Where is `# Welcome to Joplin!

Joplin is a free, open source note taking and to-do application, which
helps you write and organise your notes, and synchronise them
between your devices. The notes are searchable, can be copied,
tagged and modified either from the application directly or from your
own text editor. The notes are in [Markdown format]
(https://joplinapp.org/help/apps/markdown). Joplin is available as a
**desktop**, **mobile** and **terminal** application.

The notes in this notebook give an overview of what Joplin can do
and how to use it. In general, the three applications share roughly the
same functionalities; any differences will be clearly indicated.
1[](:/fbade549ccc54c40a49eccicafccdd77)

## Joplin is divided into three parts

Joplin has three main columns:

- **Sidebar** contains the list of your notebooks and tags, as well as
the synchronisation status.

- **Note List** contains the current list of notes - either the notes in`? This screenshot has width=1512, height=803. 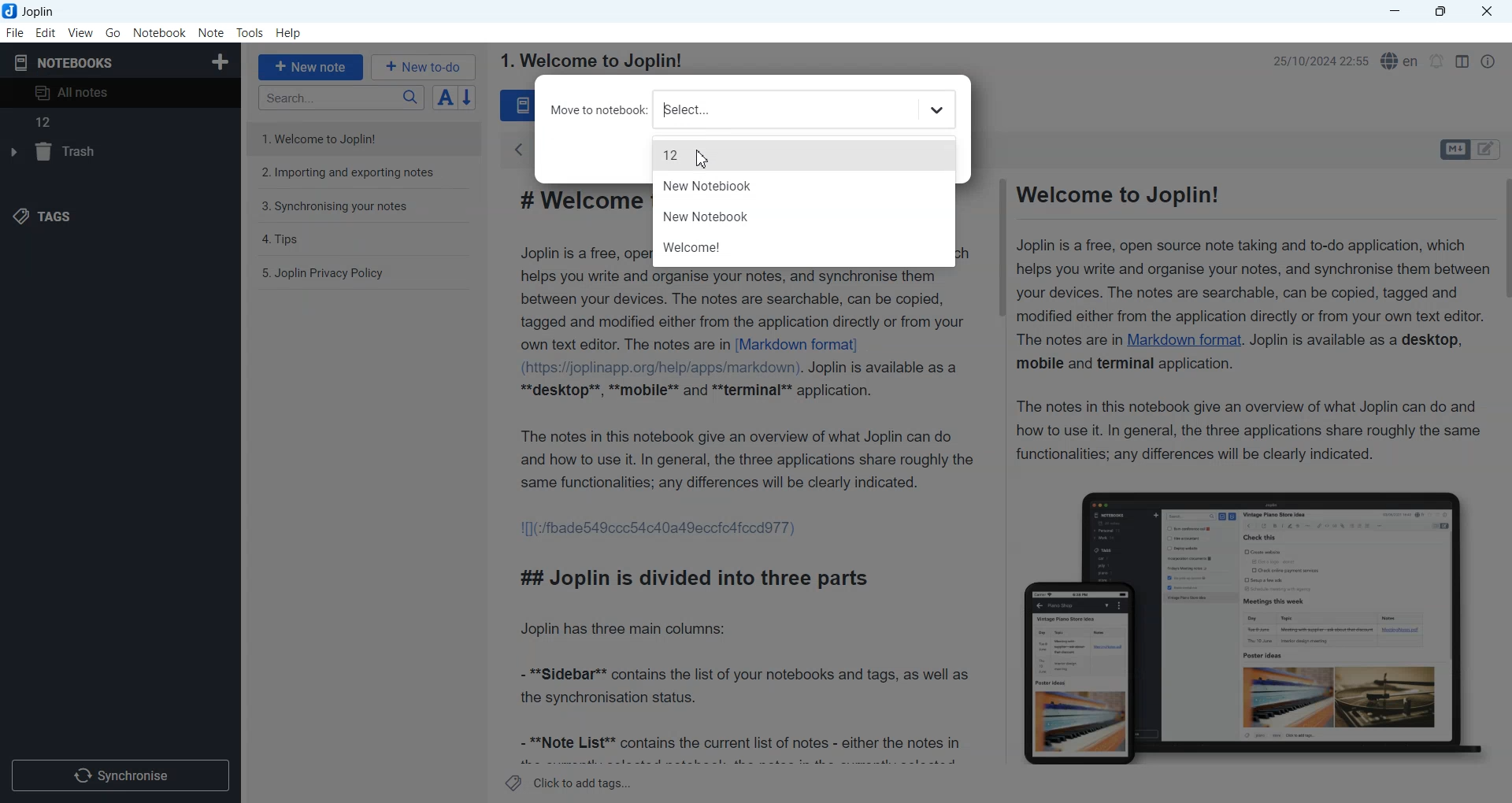 # Welcome to Joplin!

Joplin is a free, open source note taking and to-do application, which
helps you write and organise your notes, and synchronise them
between your devices. The notes are searchable, can be copied,
tagged and modified either from the application directly or from your
own text editor. The notes are in [Markdown format]
(https://joplinapp.org/help/apps/markdown). Joplin is available as a
**desktop**, **mobile** and **terminal** application.

The notes in this notebook give an overview of what Joplin can do
and how to use it. In general, the three applications share roughly the
same functionalities; any differences will be clearly indicated.
1[](:/fbade549ccc54c40a49eccicafccdd77)

## Joplin is divided into three parts

Joplin has three main columns:

- **Sidebar** contains the list of your notebooks and tags, as well as
the synchronisation status.

- **Note List** contains the current list of notes - either the notes in is located at coordinates (746, 520).